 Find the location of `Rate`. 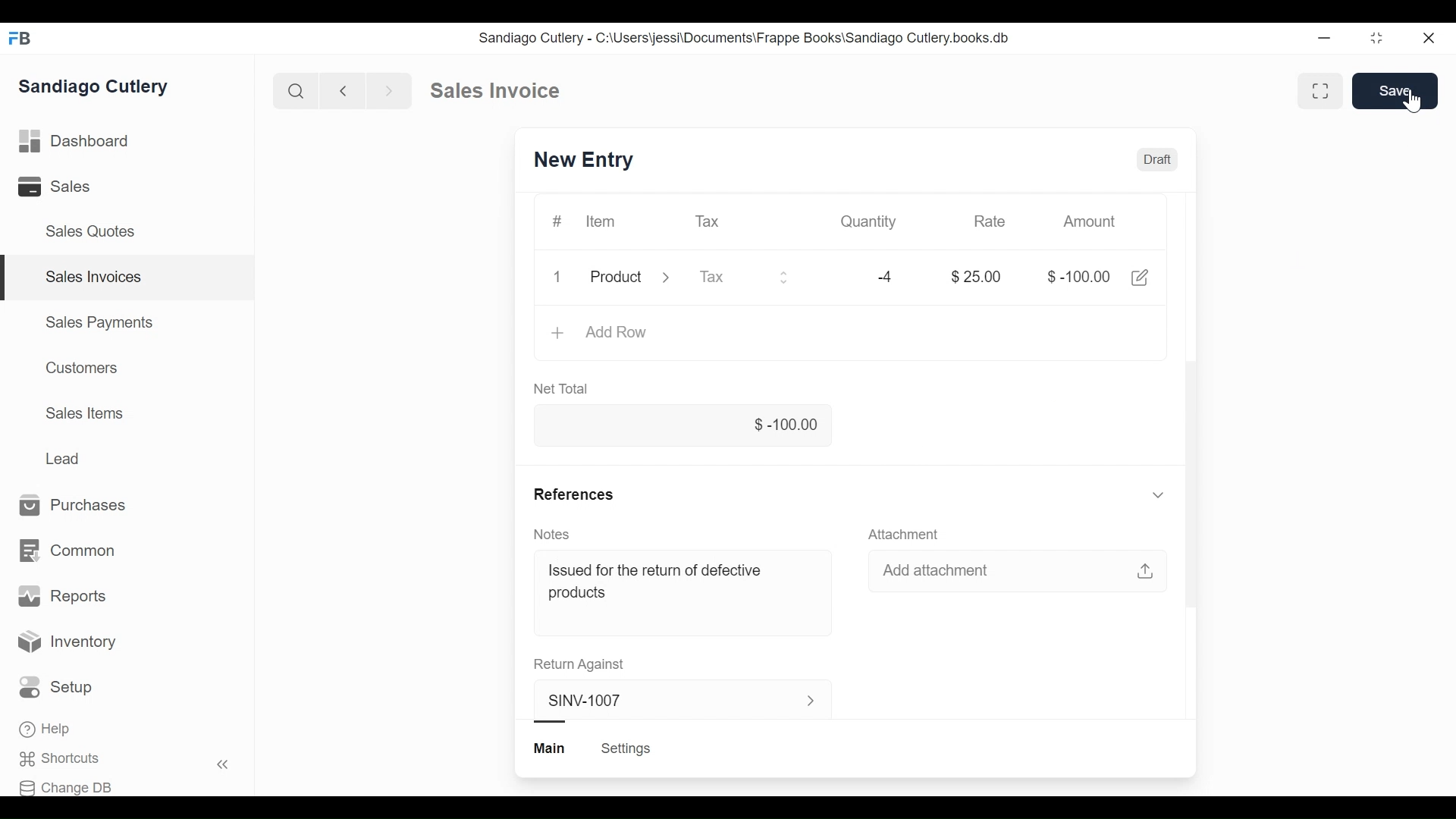

Rate is located at coordinates (989, 221).